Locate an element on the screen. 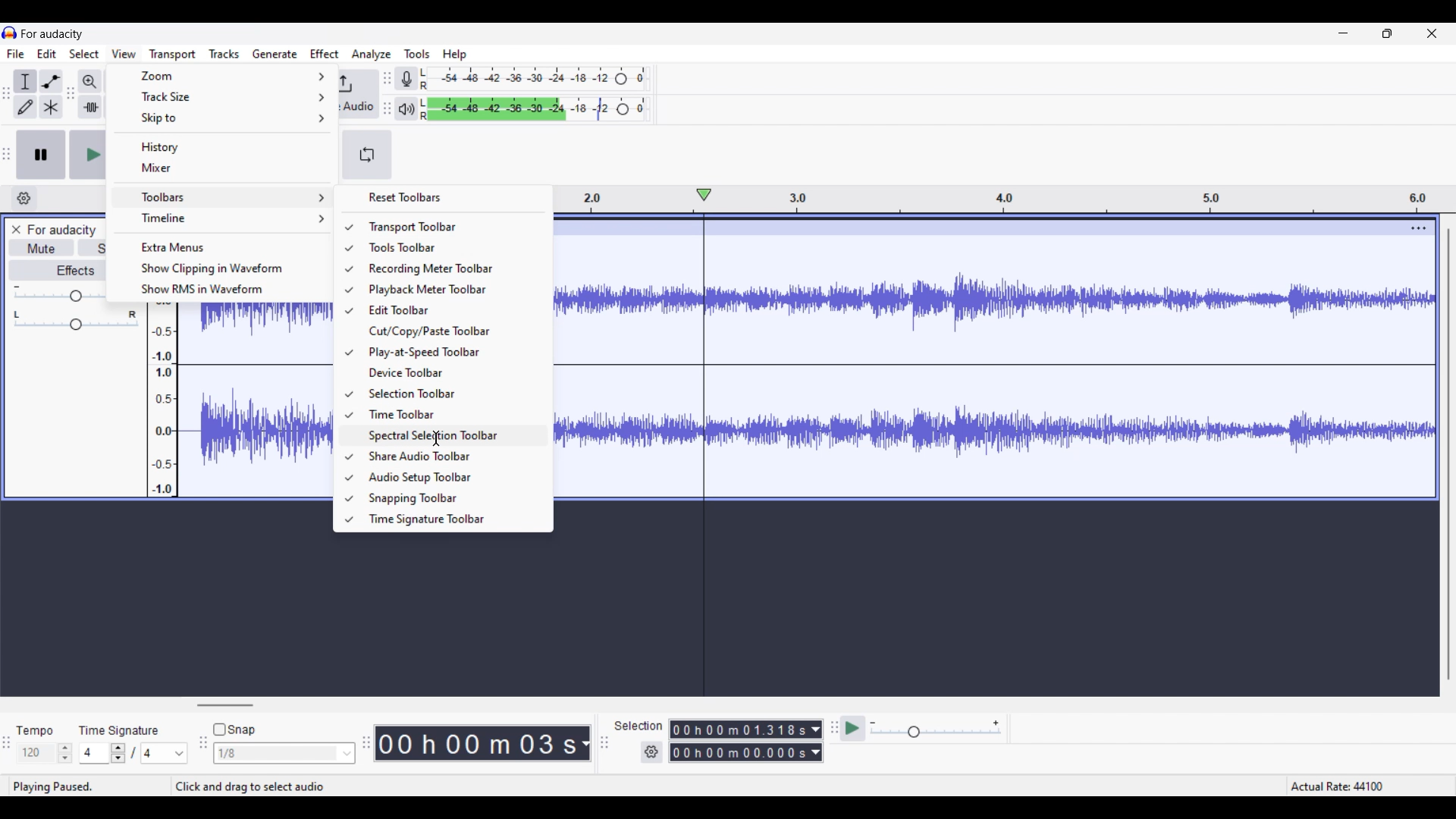 The width and height of the screenshot is (1456, 819). Effects  is located at coordinates (58, 270).